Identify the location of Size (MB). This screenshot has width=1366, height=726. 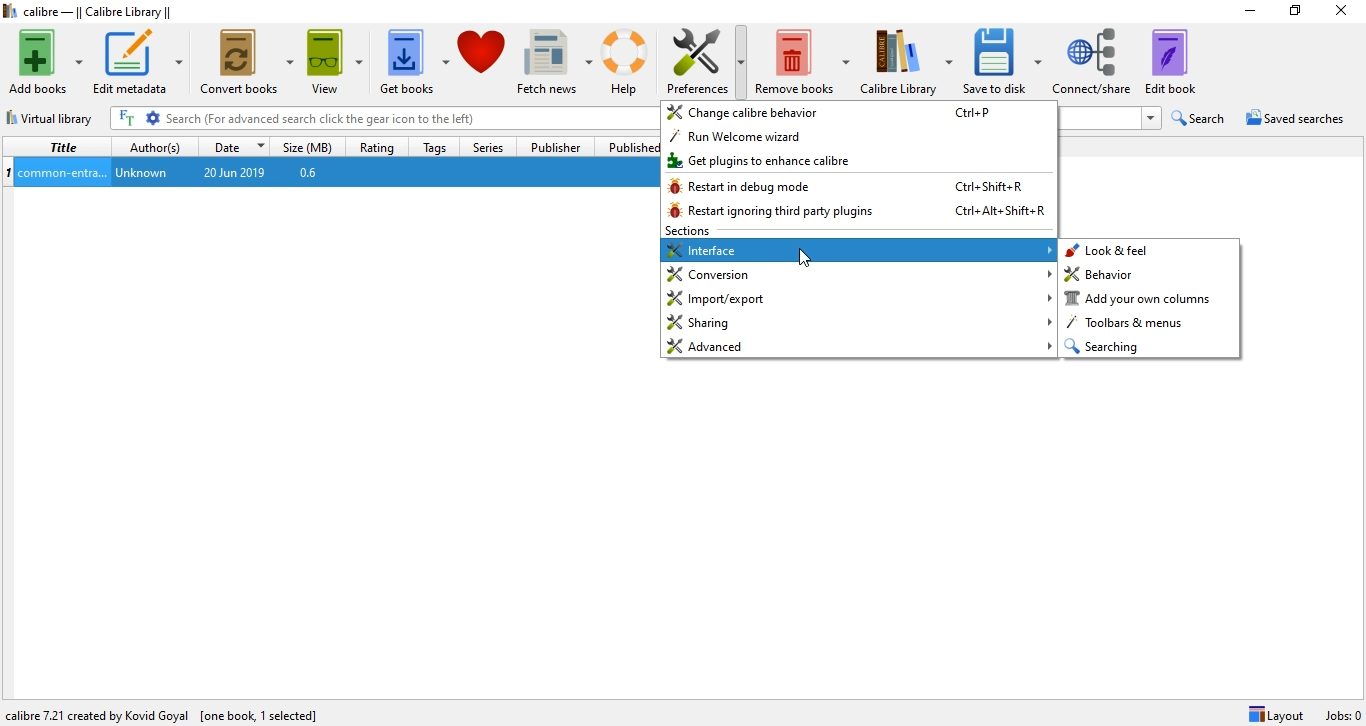
(311, 145).